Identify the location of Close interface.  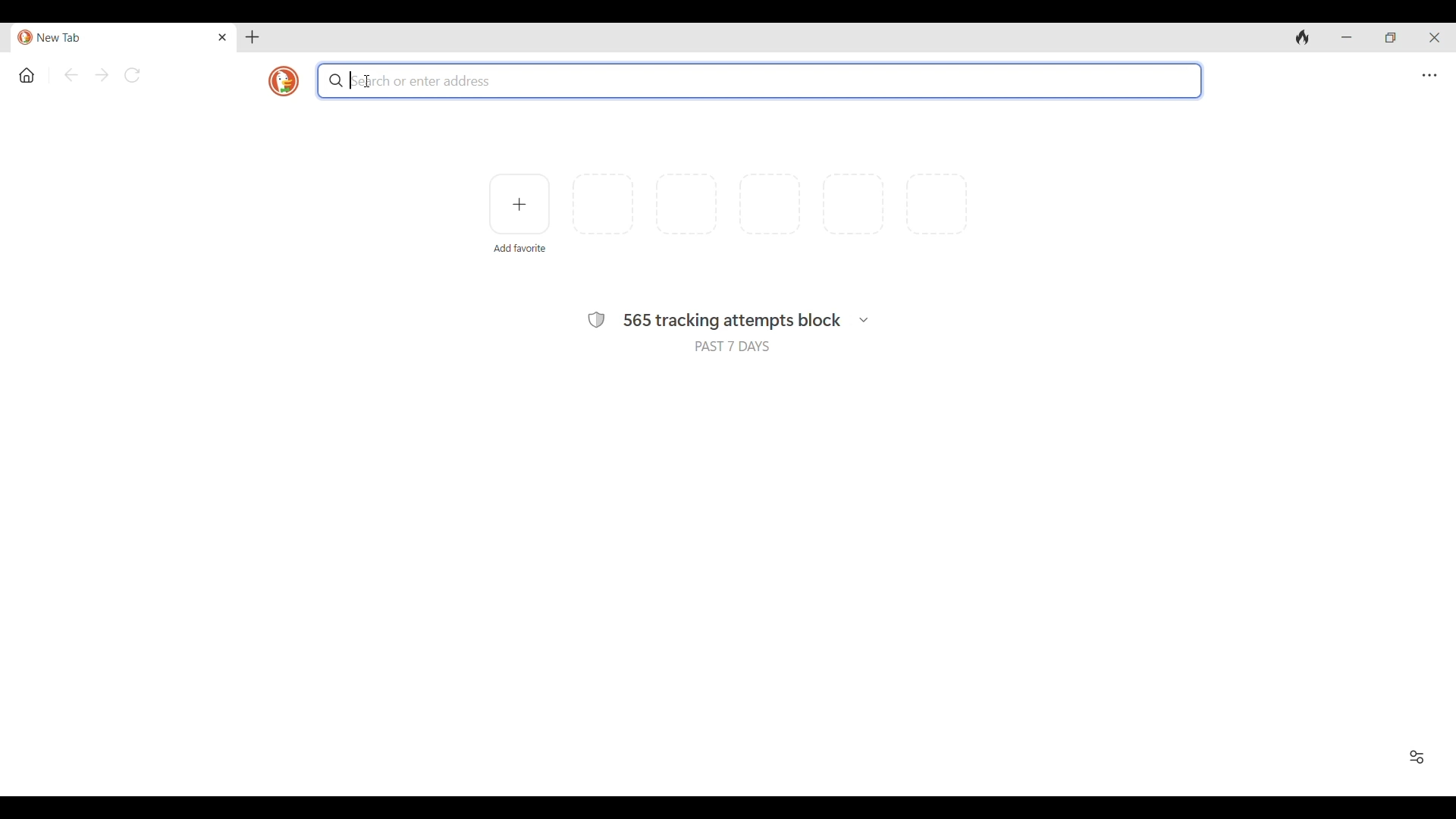
(1435, 38).